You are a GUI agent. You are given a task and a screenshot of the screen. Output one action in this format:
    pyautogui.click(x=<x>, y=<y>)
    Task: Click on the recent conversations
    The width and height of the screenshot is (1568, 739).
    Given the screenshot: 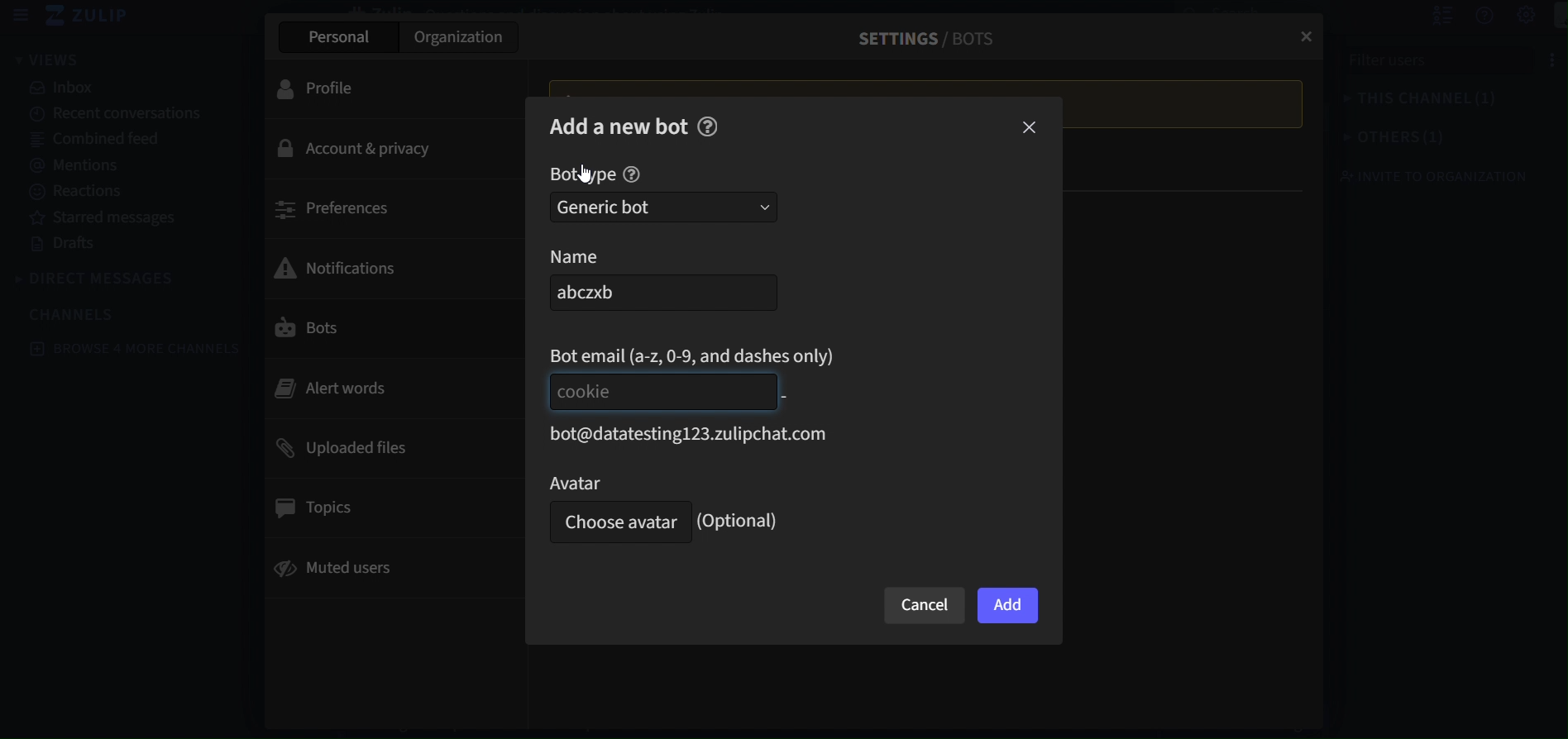 What is the action you would take?
    pyautogui.click(x=129, y=116)
    